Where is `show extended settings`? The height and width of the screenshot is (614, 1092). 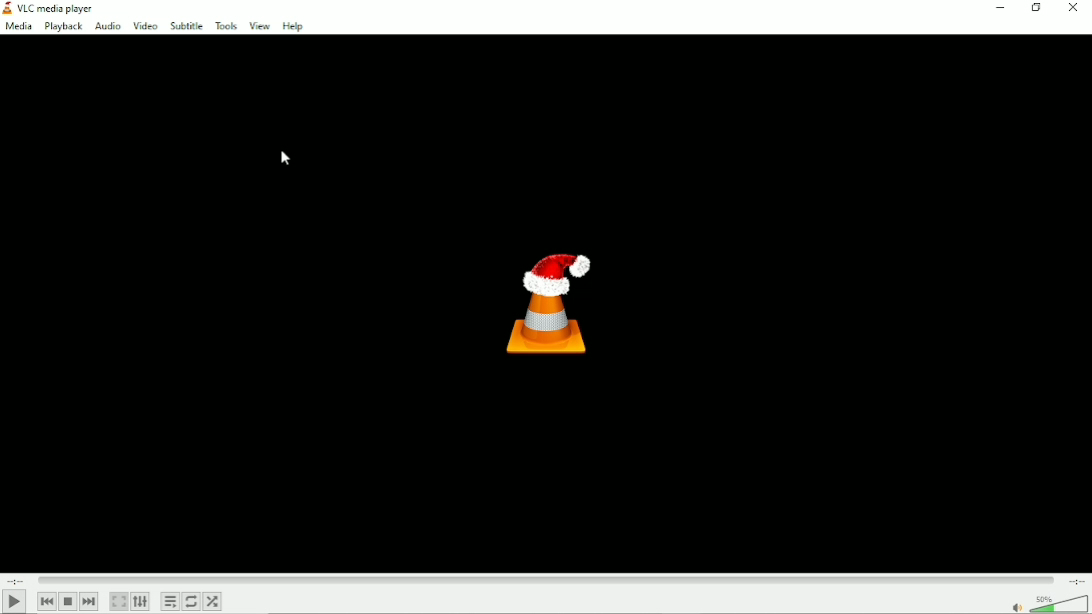 show extended settings is located at coordinates (142, 602).